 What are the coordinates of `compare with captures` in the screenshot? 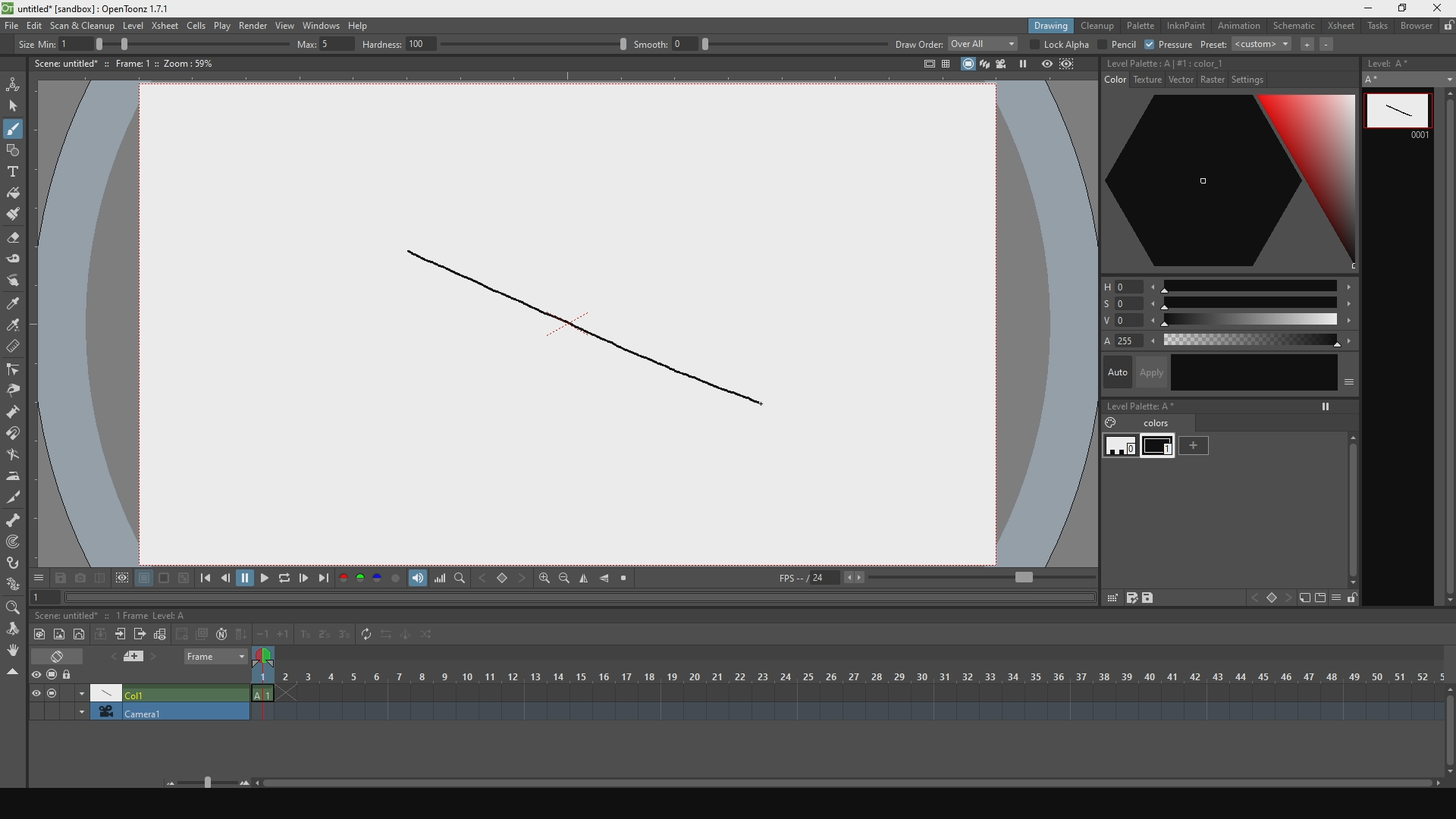 It's located at (100, 579).